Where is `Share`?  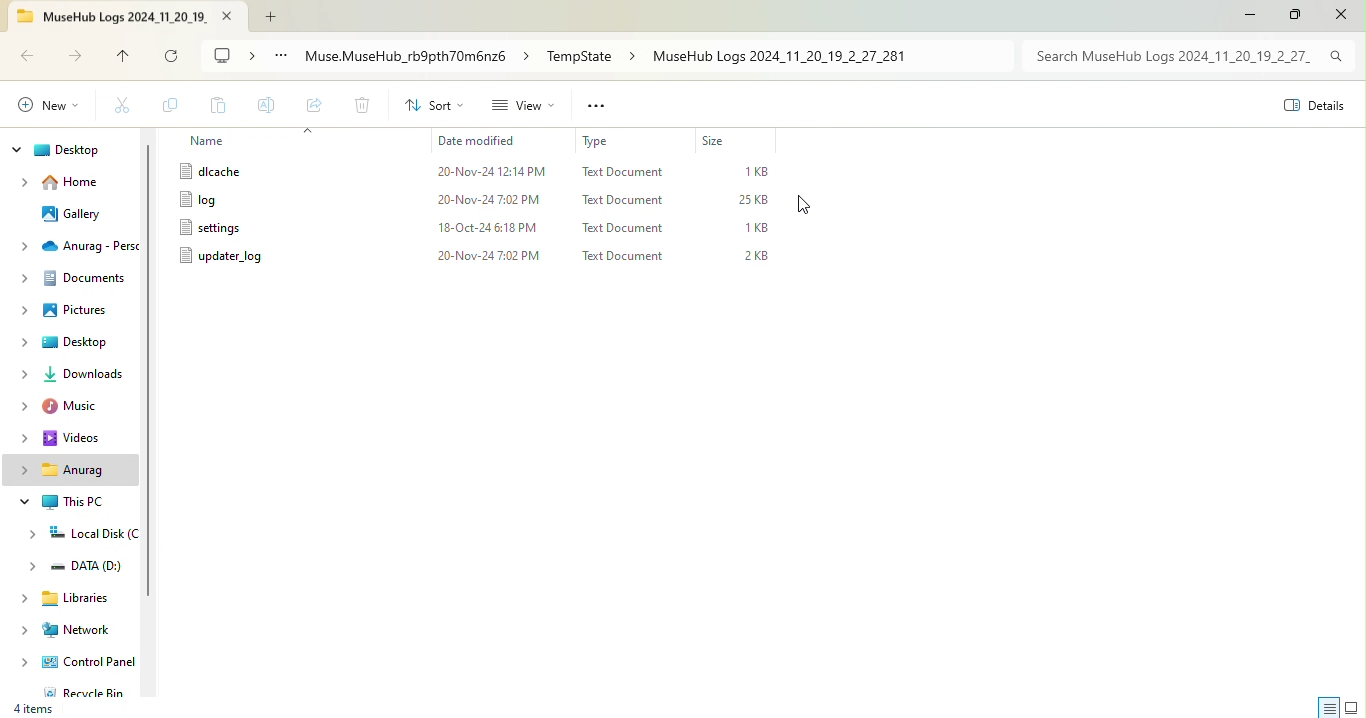
Share is located at coordinates (319, 110).